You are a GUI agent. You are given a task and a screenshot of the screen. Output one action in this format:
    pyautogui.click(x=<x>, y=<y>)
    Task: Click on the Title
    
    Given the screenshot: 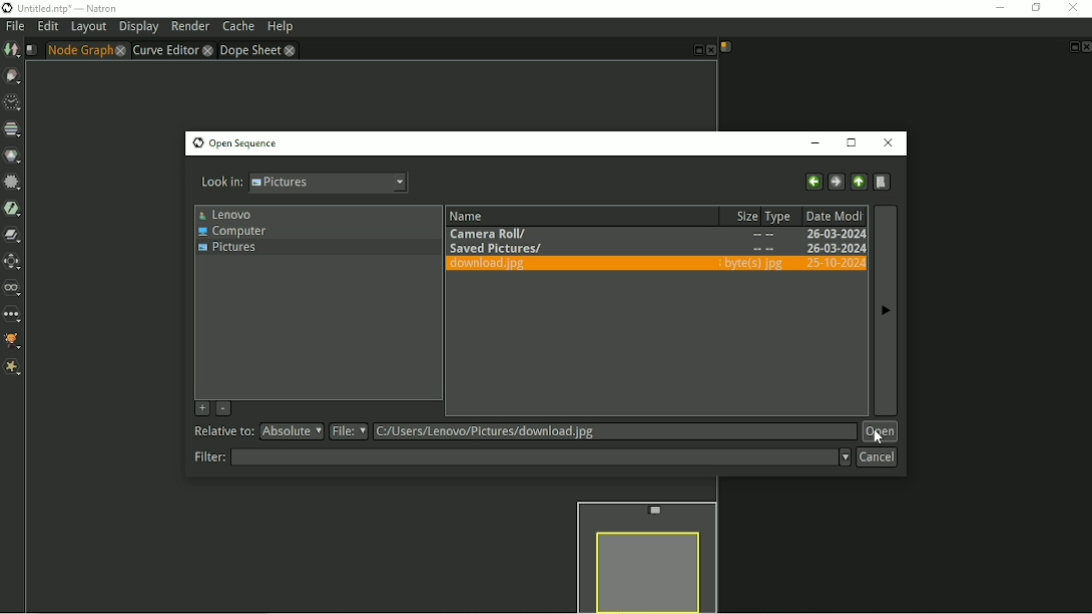 What is the action you would take?
    pyautogui.click(x=61, y=8)
    